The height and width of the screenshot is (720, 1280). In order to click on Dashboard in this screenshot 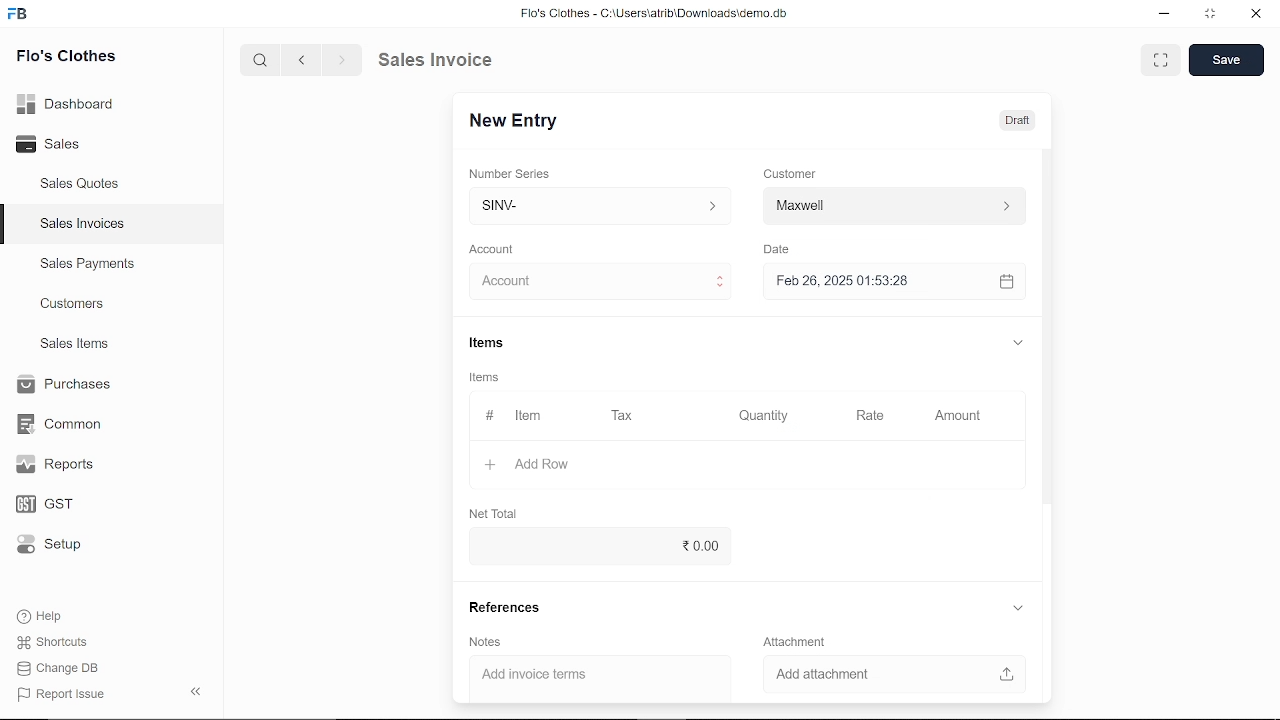, I will do `click(70, 103)`.